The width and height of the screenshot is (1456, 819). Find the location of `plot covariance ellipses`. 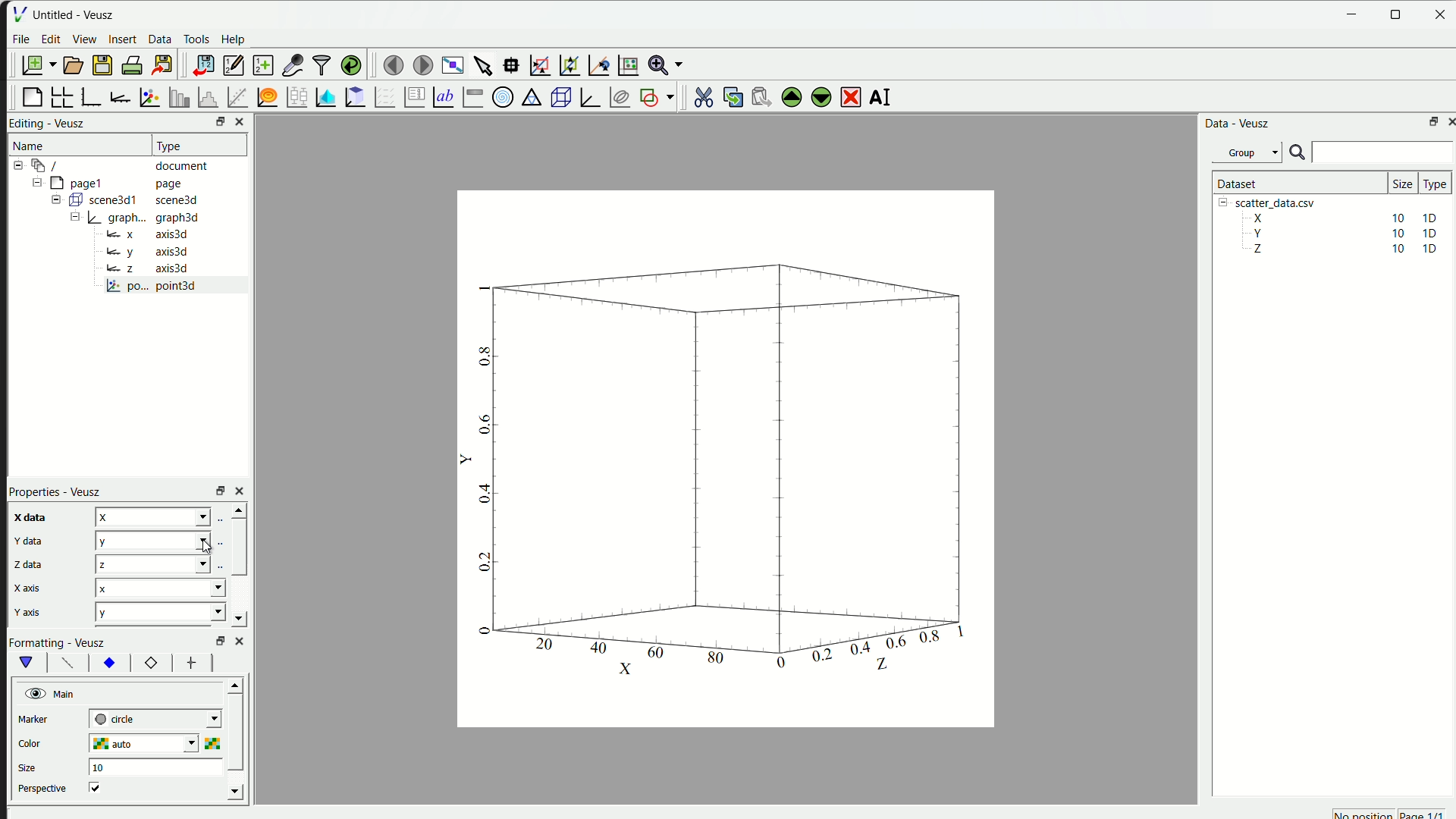

plot covariance ellipses is located at coordinates (617, 96).